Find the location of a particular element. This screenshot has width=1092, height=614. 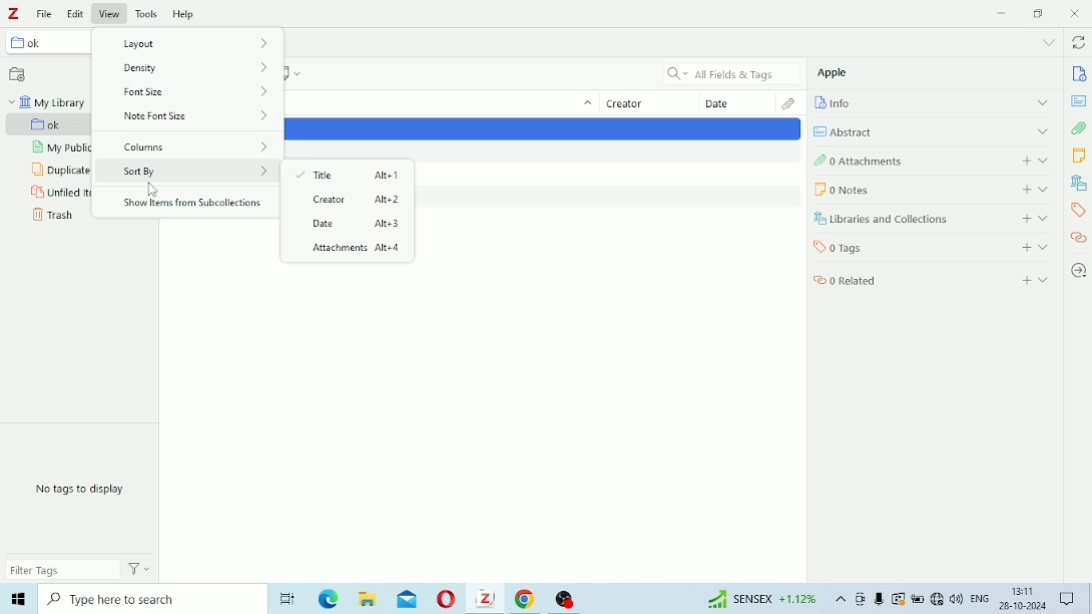

Duplicate items. is located at coordinates (59, 170).